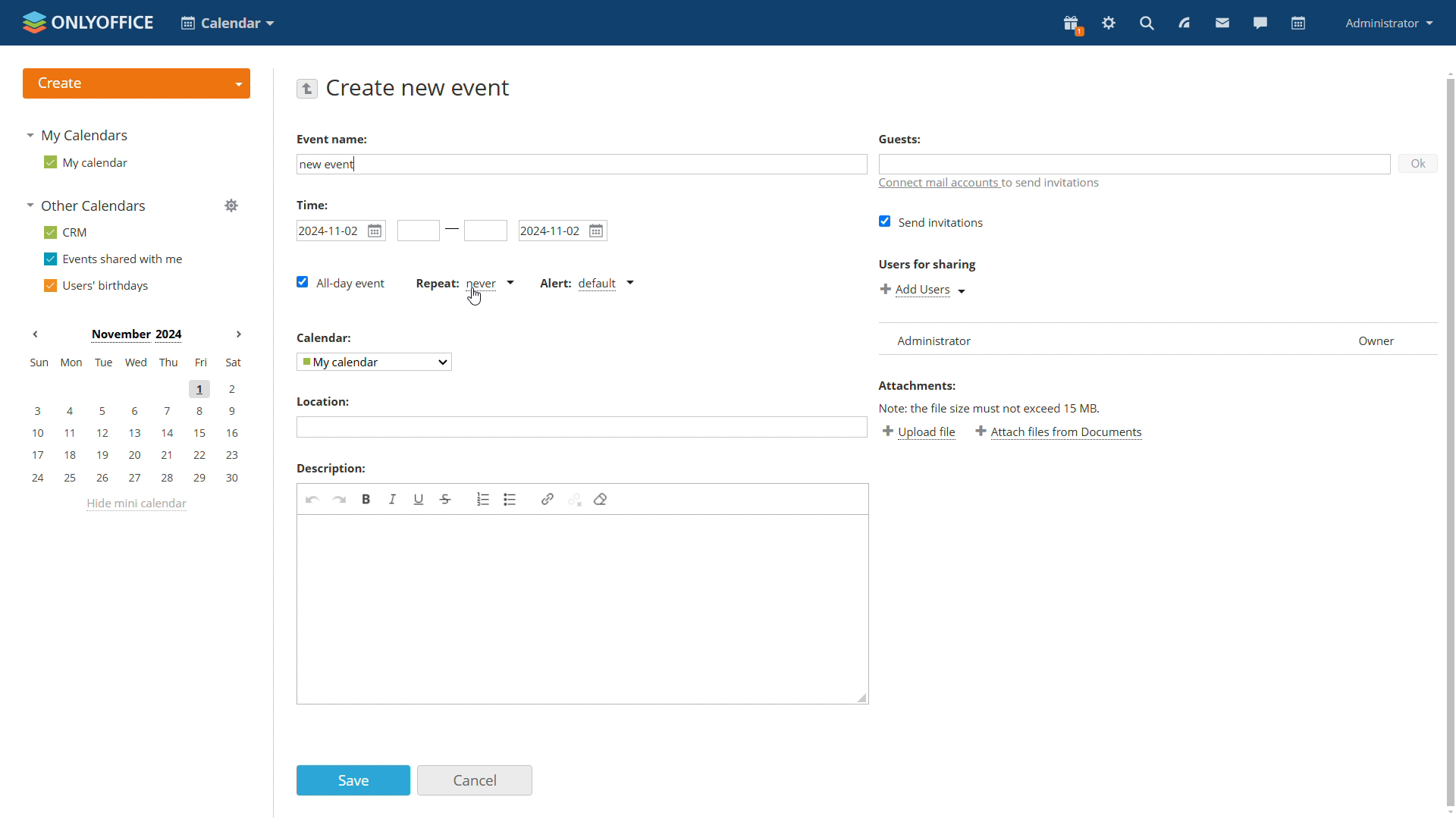  I want to click on administrator, so click(1390, 22).